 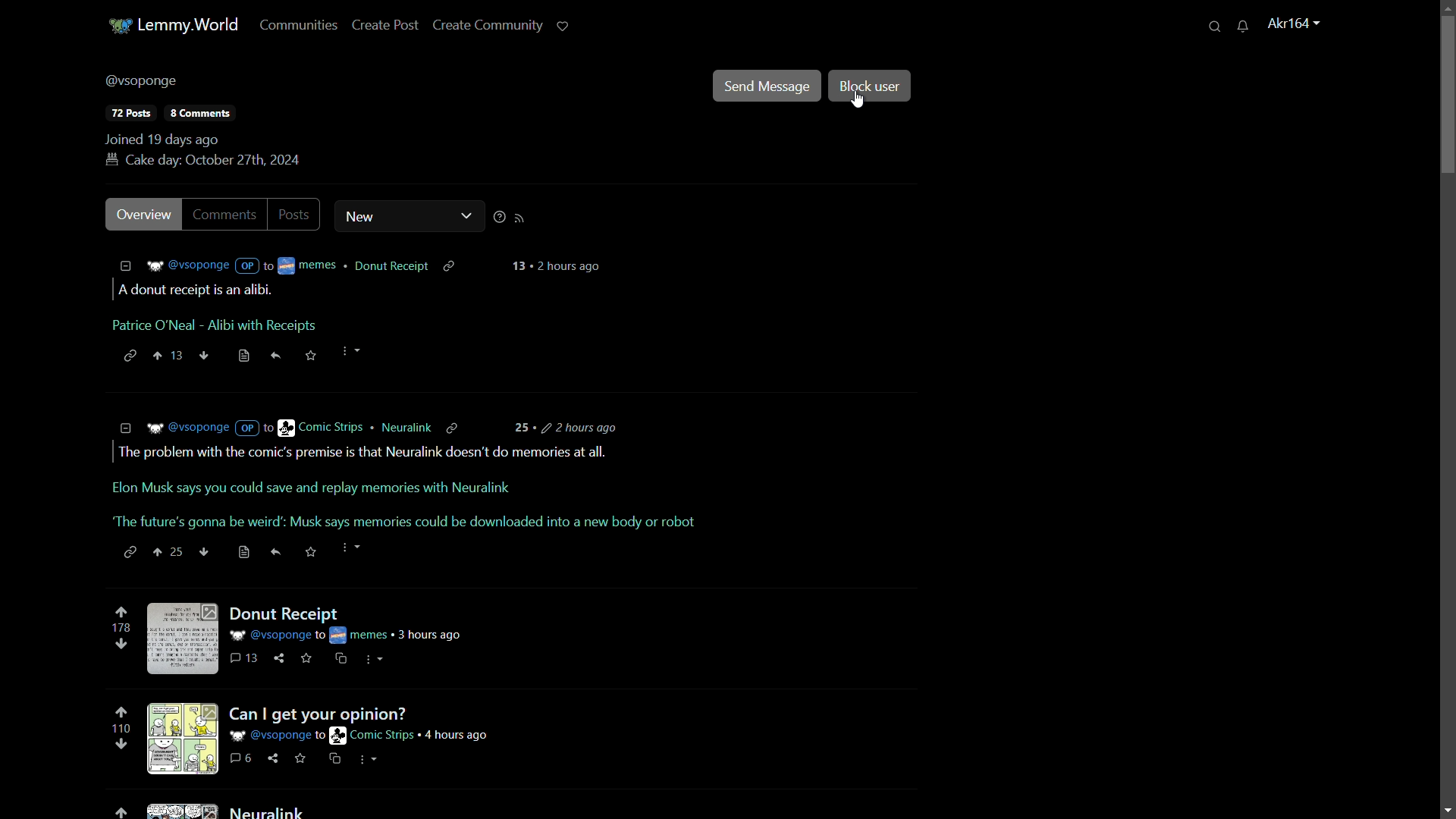 What do you see at coordinates (202, 161) in the screenshot?
I see `birthday` at bounding box center [202, 161].